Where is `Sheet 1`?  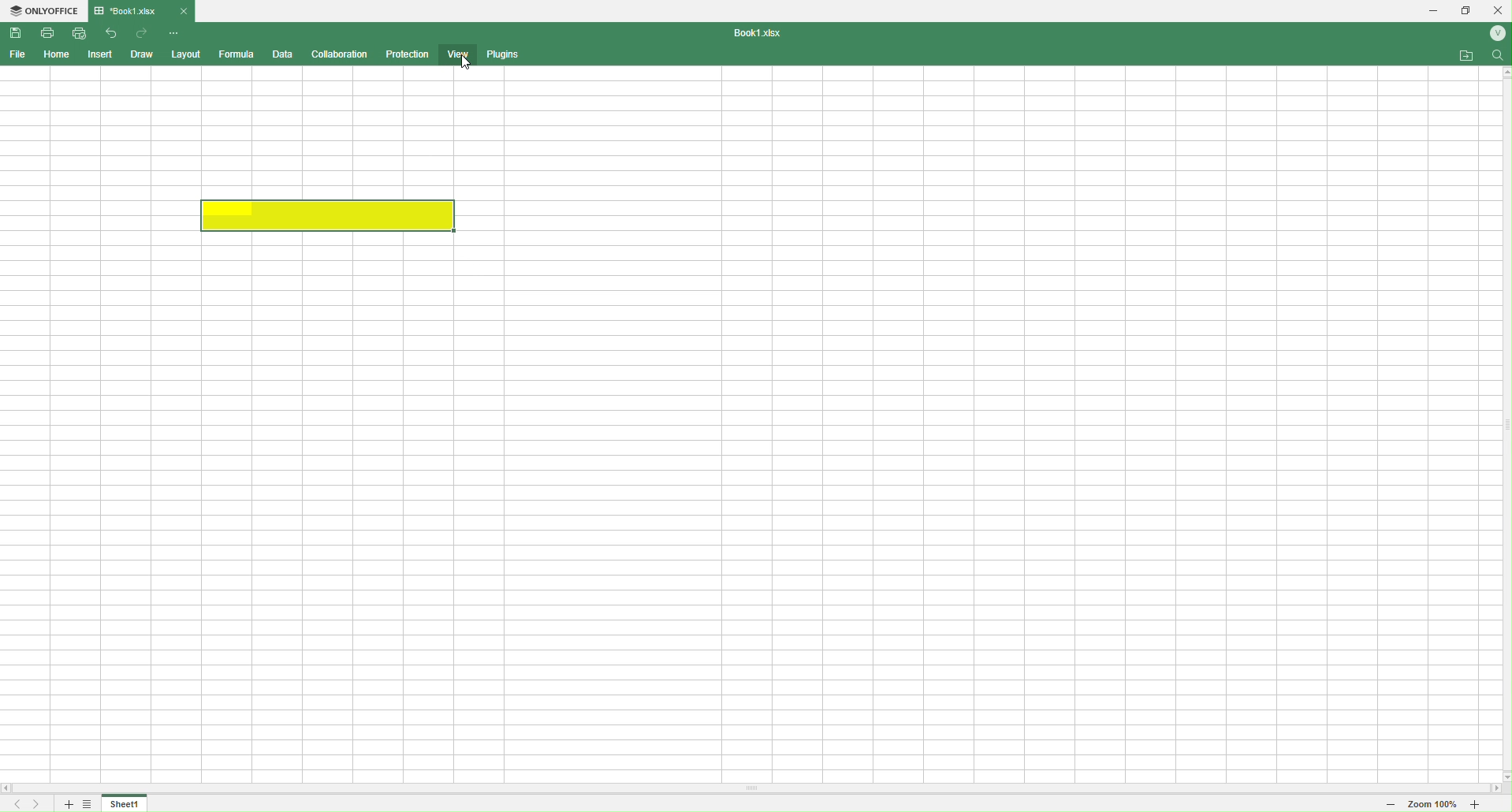
Sheet 1 is located at coordinates (125, 804).